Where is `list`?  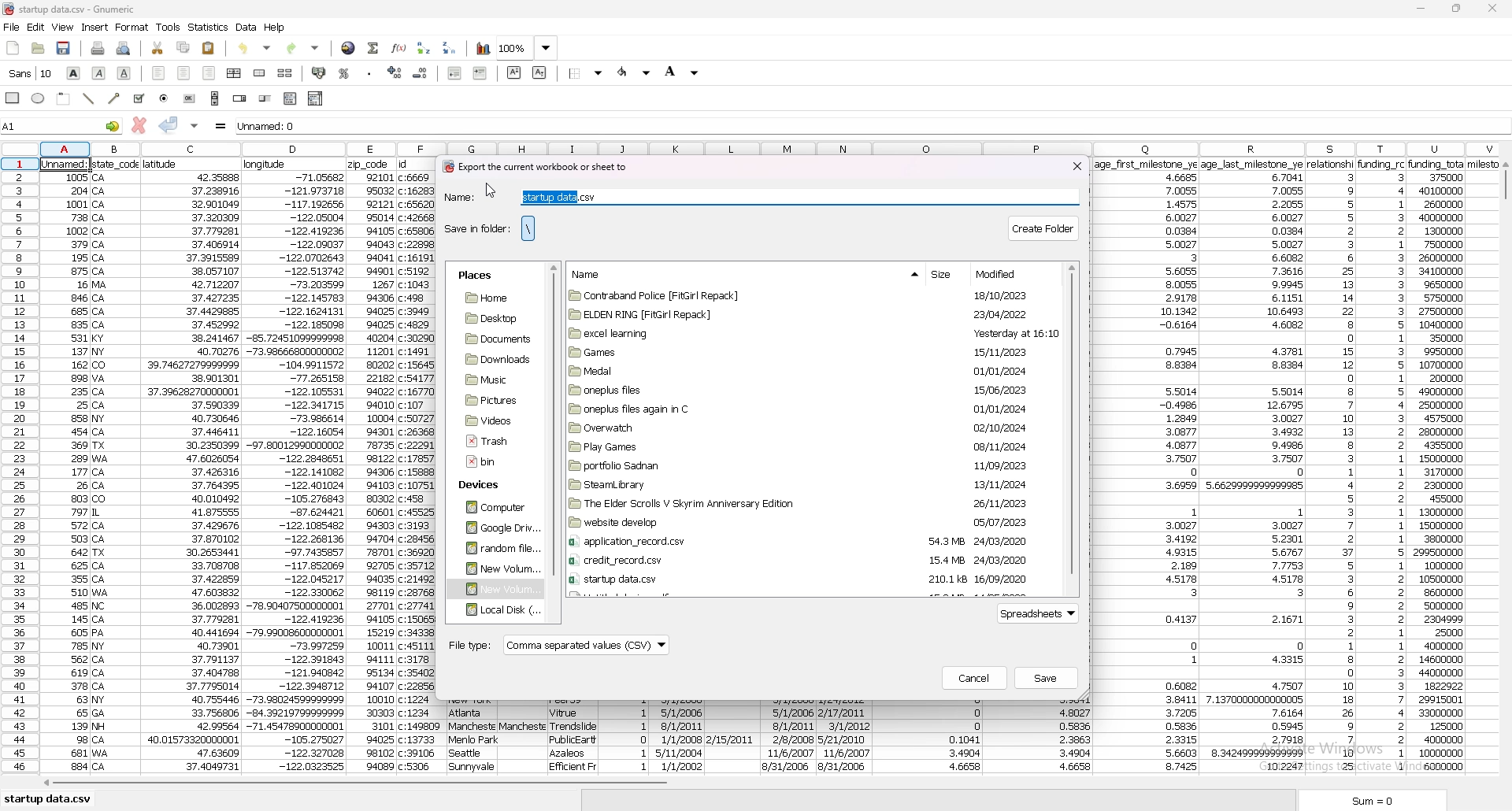 list is located at coordinates (290, 98).